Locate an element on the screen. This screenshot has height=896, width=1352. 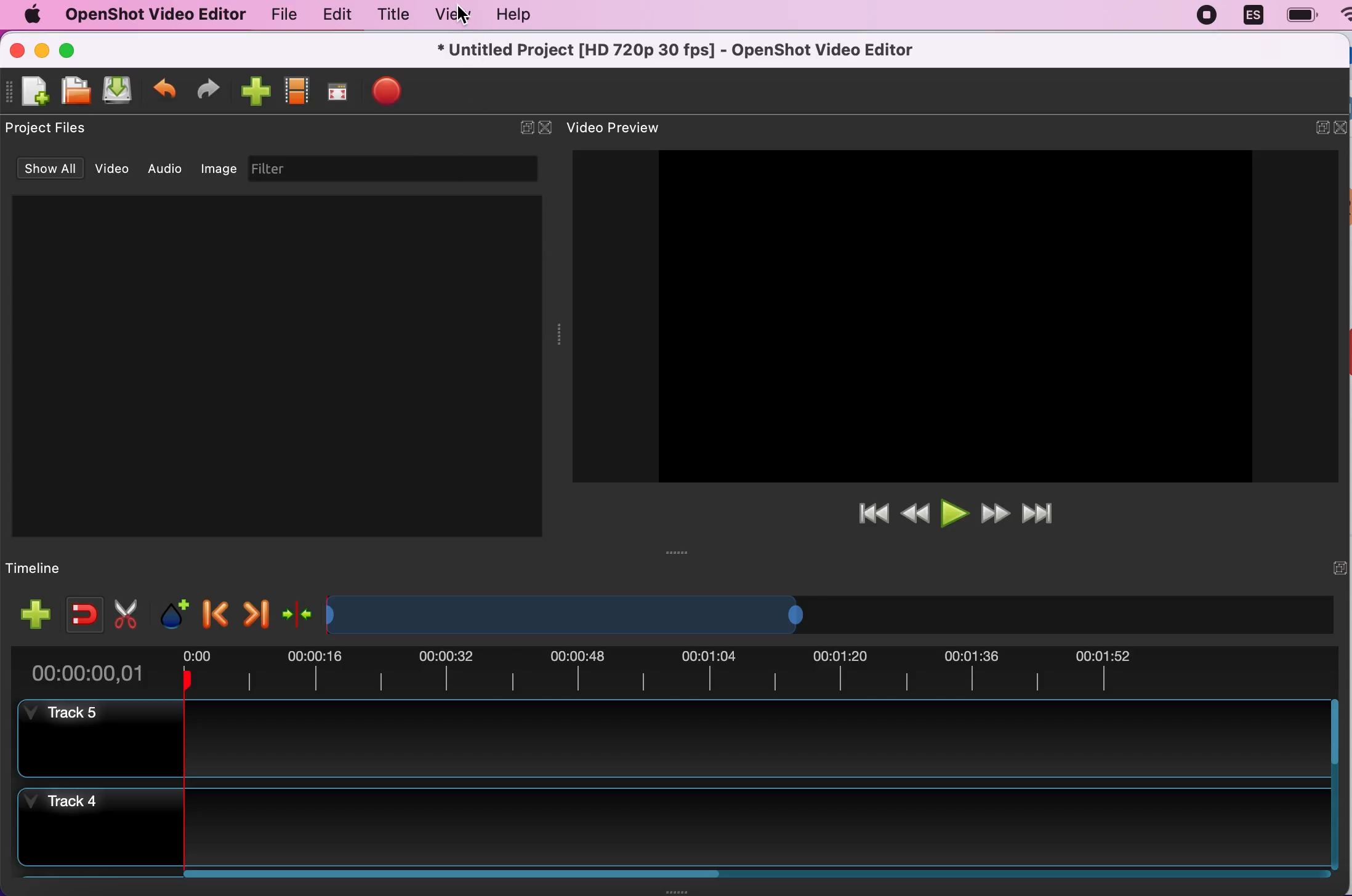
next marker is located at coordinates (254, 611).